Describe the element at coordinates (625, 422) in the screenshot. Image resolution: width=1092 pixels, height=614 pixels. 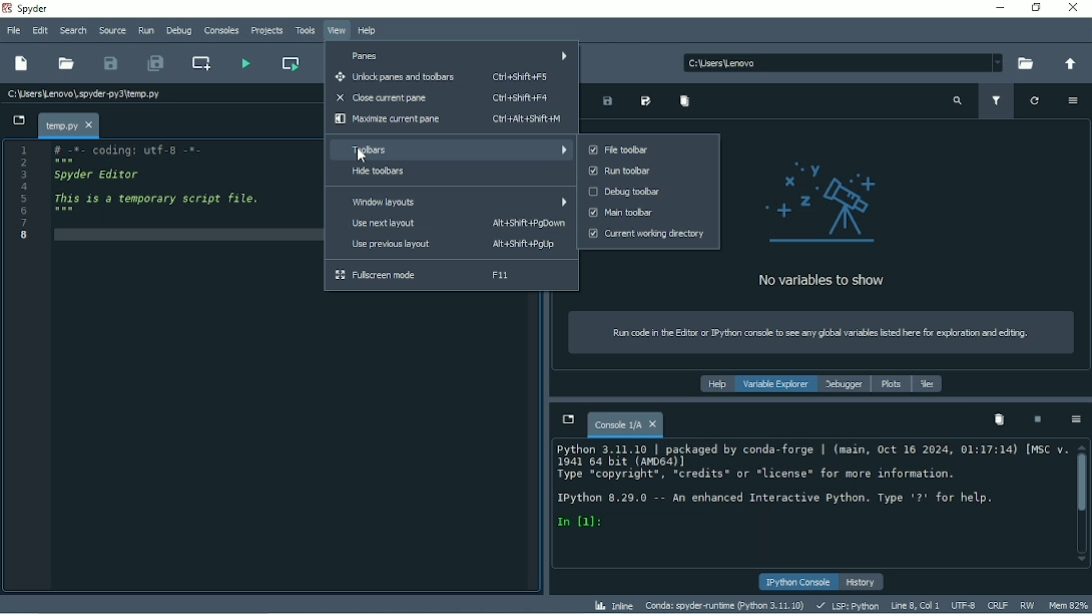
I see `Console` at that location.